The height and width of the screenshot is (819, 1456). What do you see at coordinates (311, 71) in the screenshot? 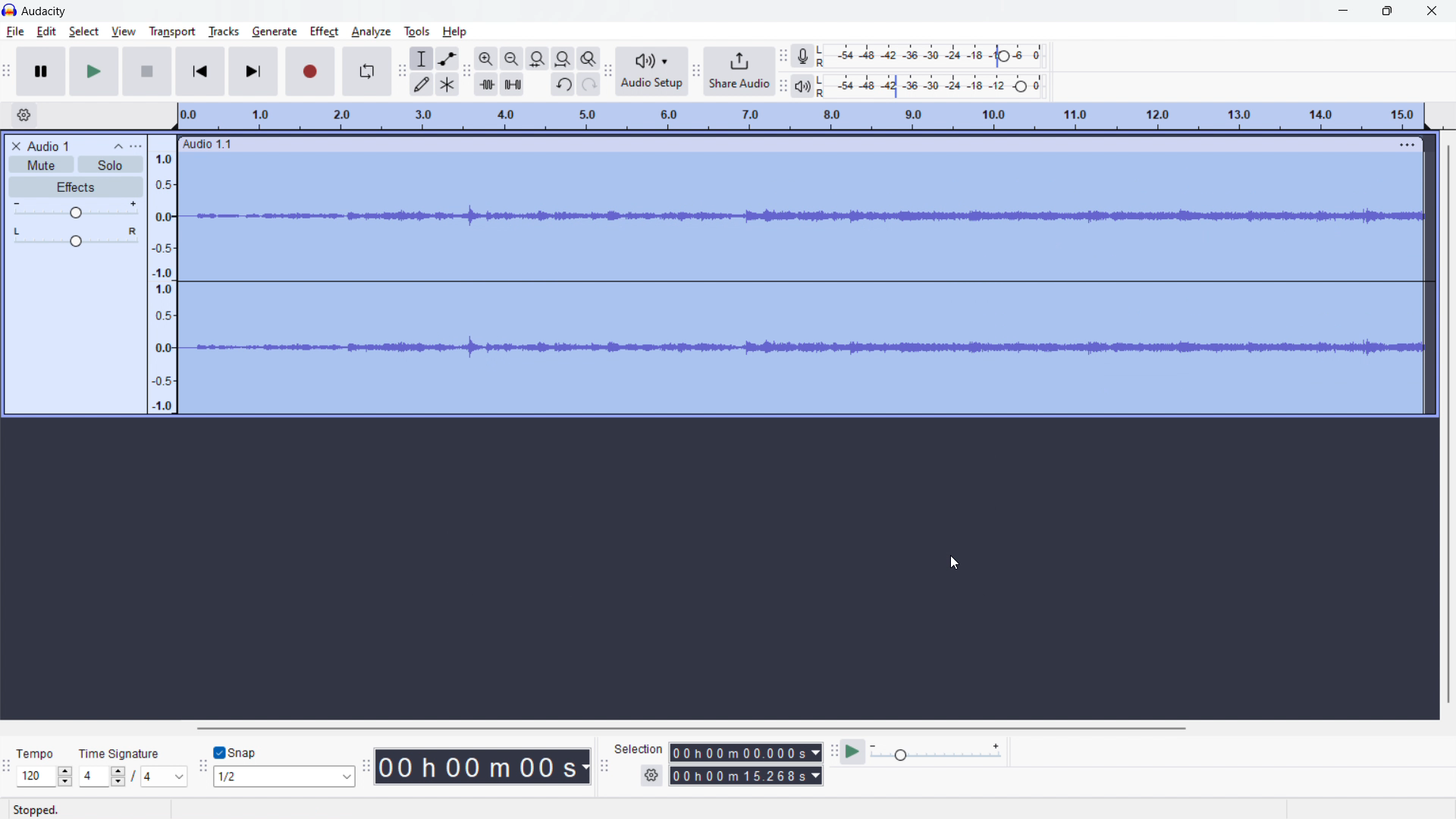
I see `record` at bounding box center [311, 71].